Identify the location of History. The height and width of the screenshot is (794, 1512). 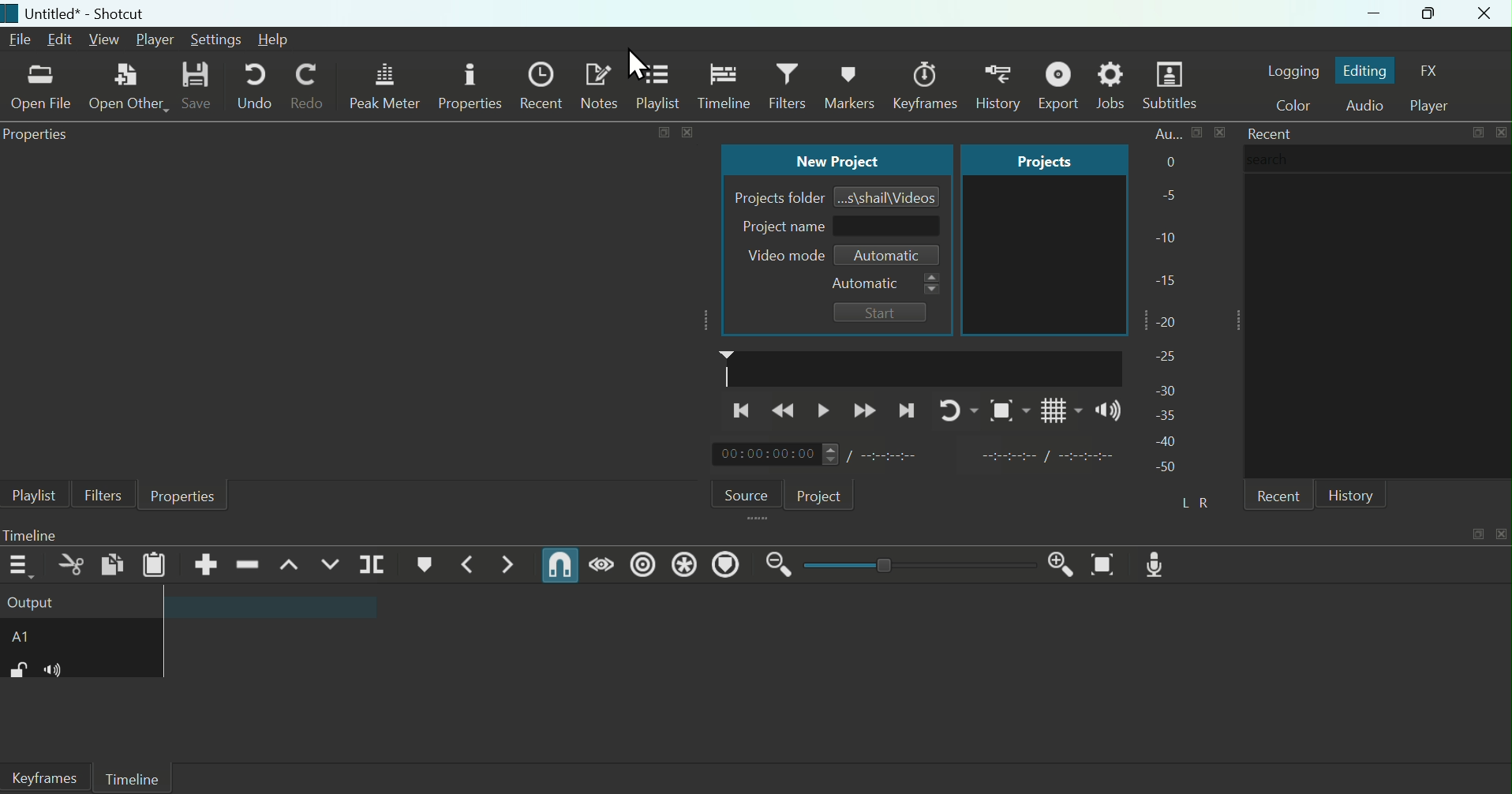
(852, 83).